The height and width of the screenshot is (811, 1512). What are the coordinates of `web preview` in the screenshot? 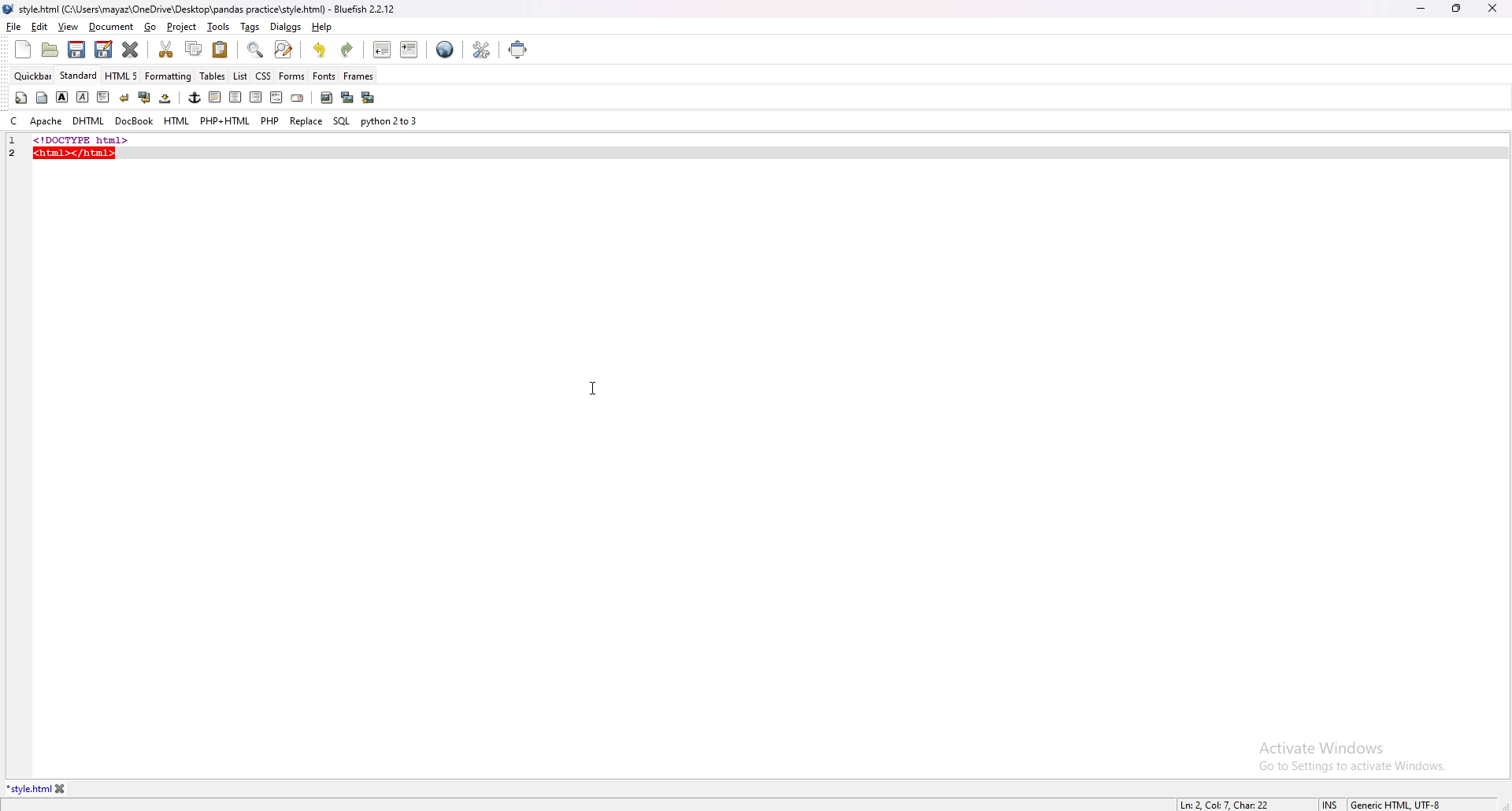 It's located at (445, 50).